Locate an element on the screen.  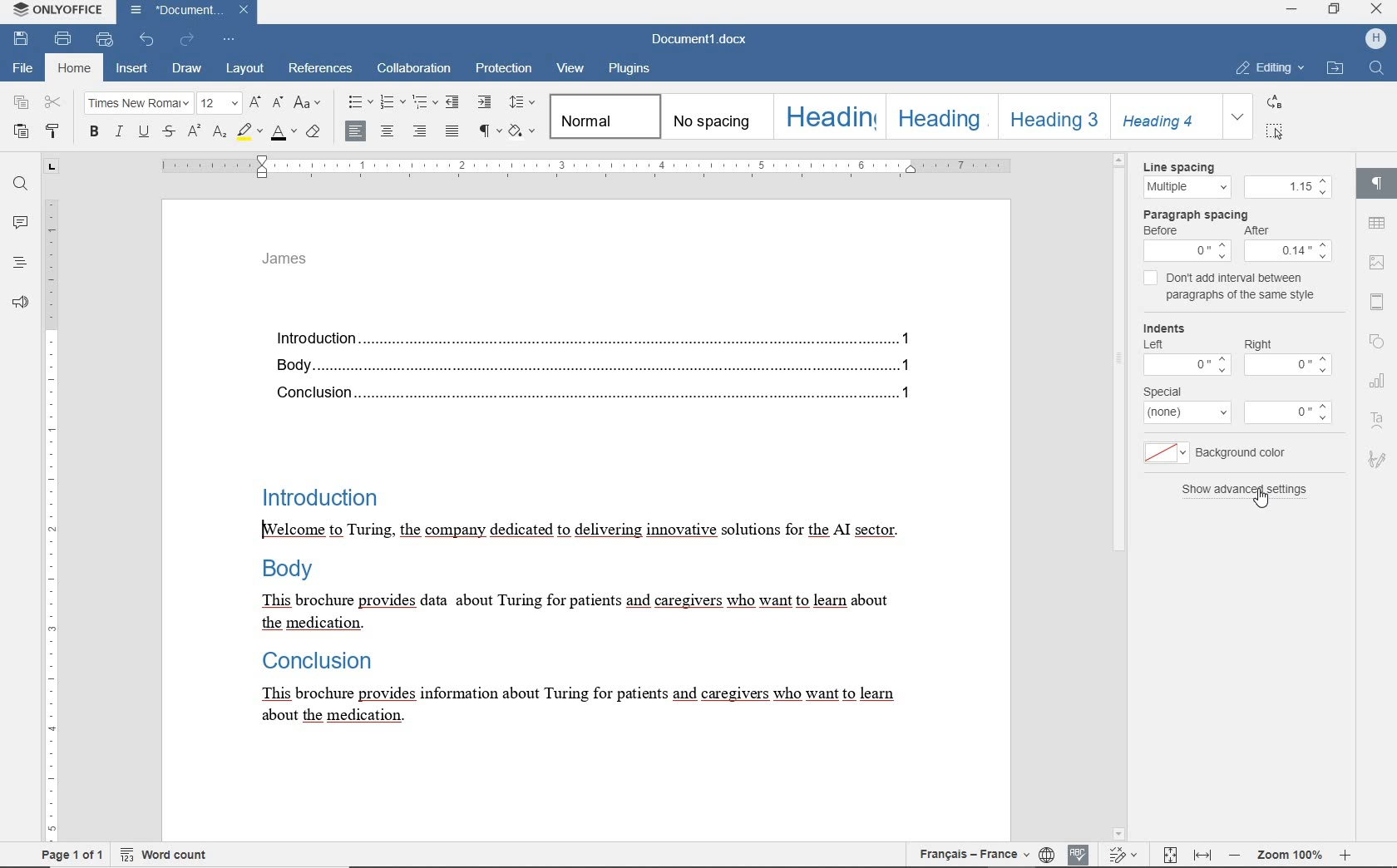
Page 1 of 1 is located at coordinates (67, 857).